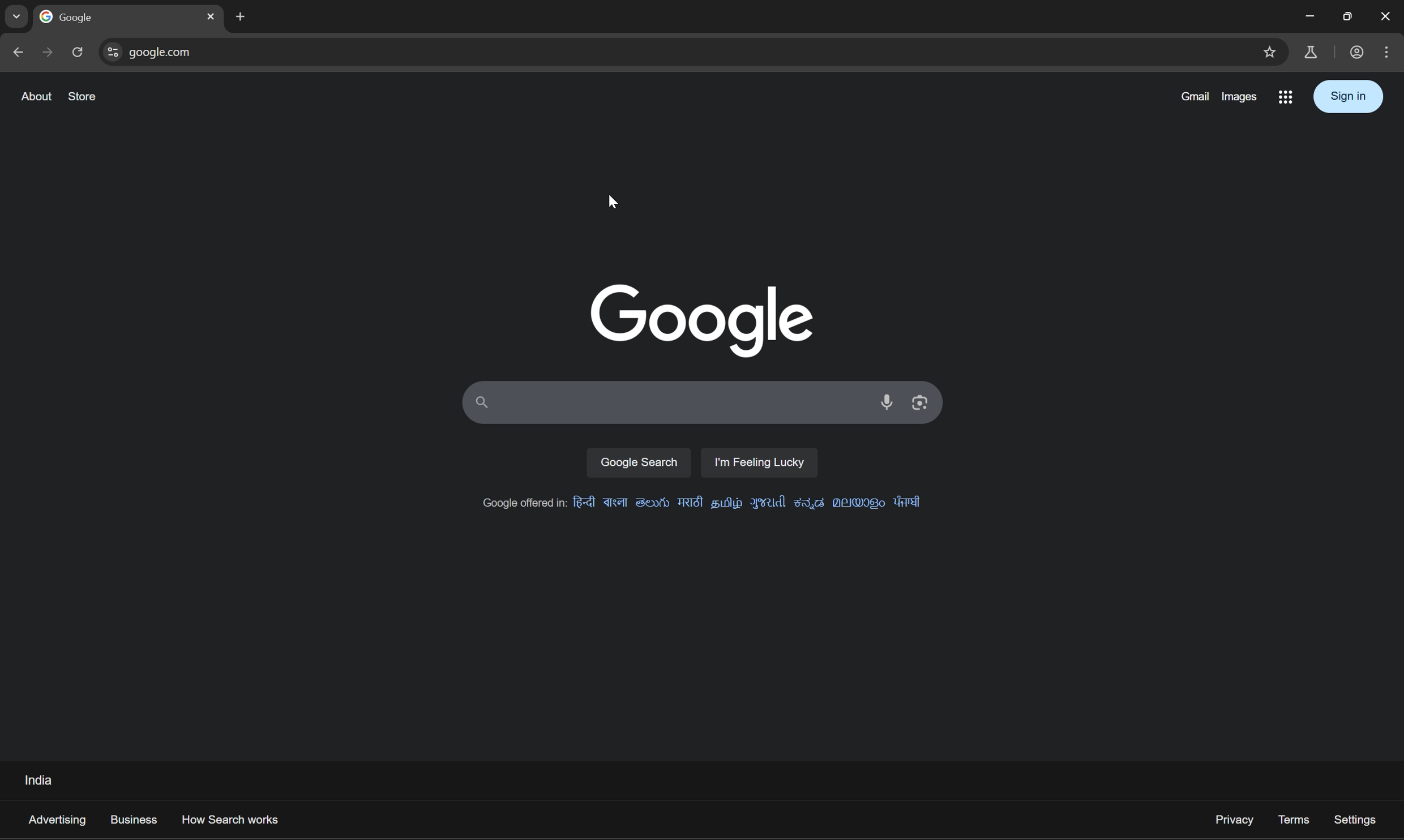  I want to click on how search works, so click(234, 819).